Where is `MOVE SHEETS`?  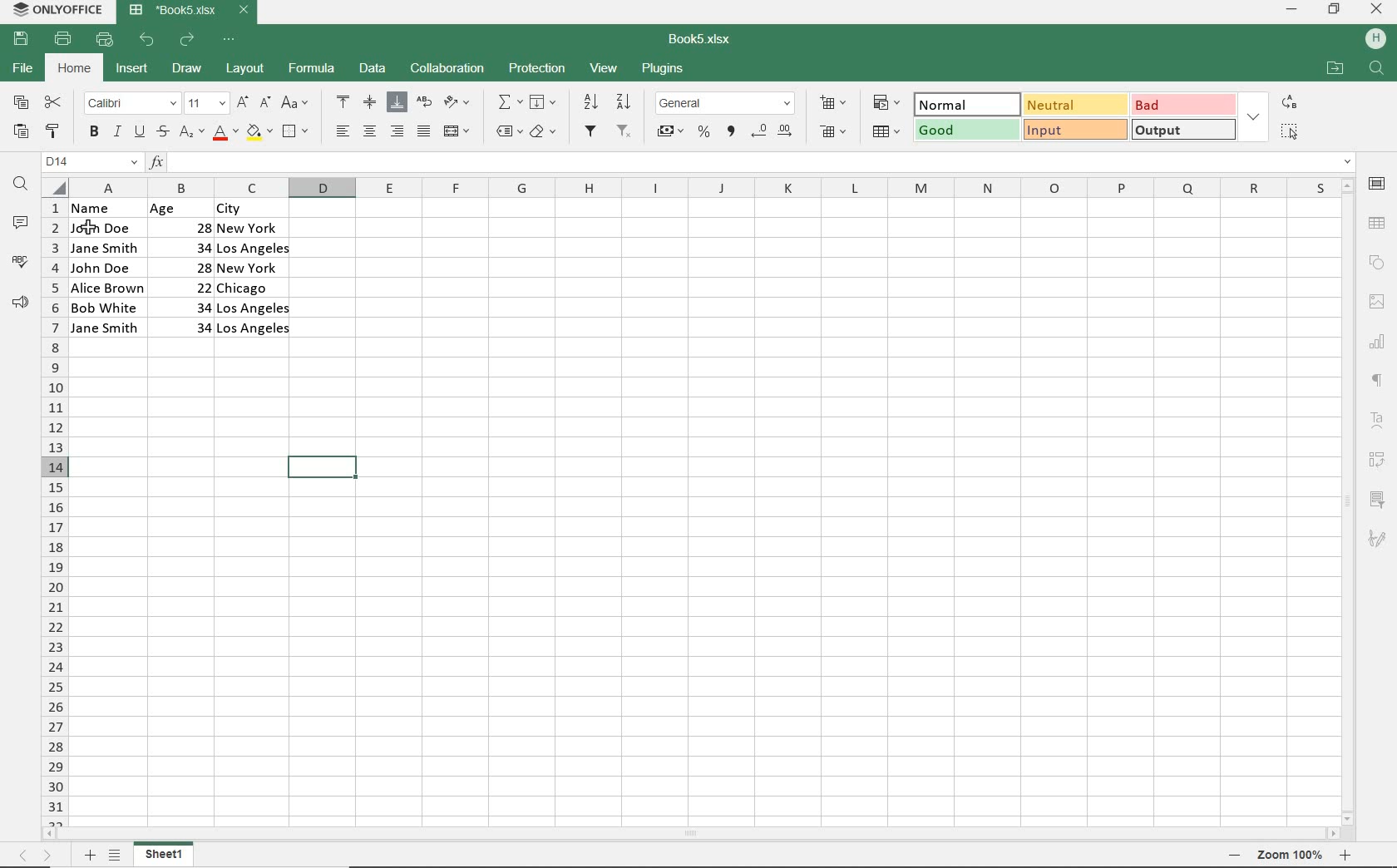 MOVE SHEETS is located at coordinates (35, 856).